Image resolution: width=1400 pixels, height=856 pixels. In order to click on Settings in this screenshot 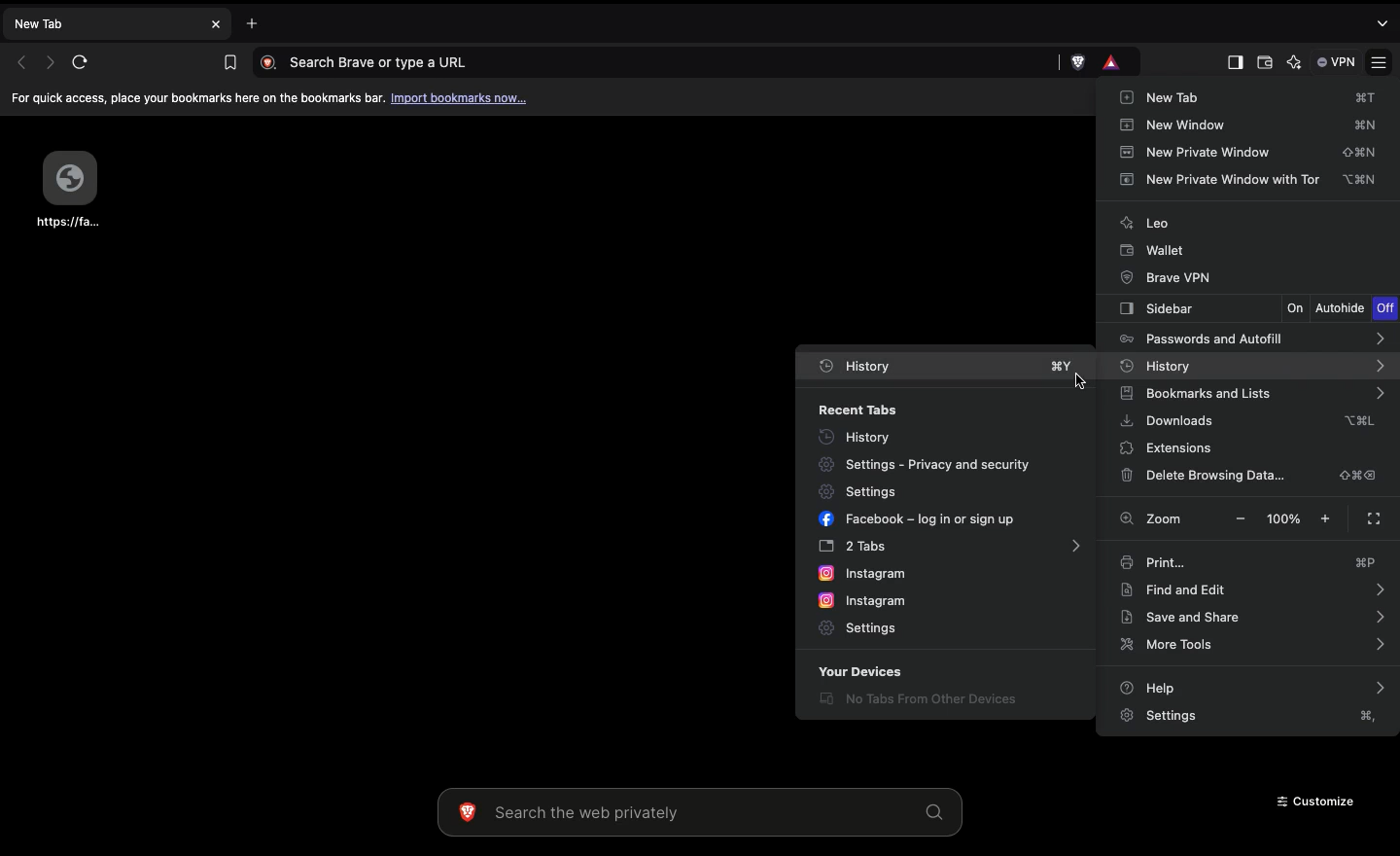, I will do `click(864, 493)`.